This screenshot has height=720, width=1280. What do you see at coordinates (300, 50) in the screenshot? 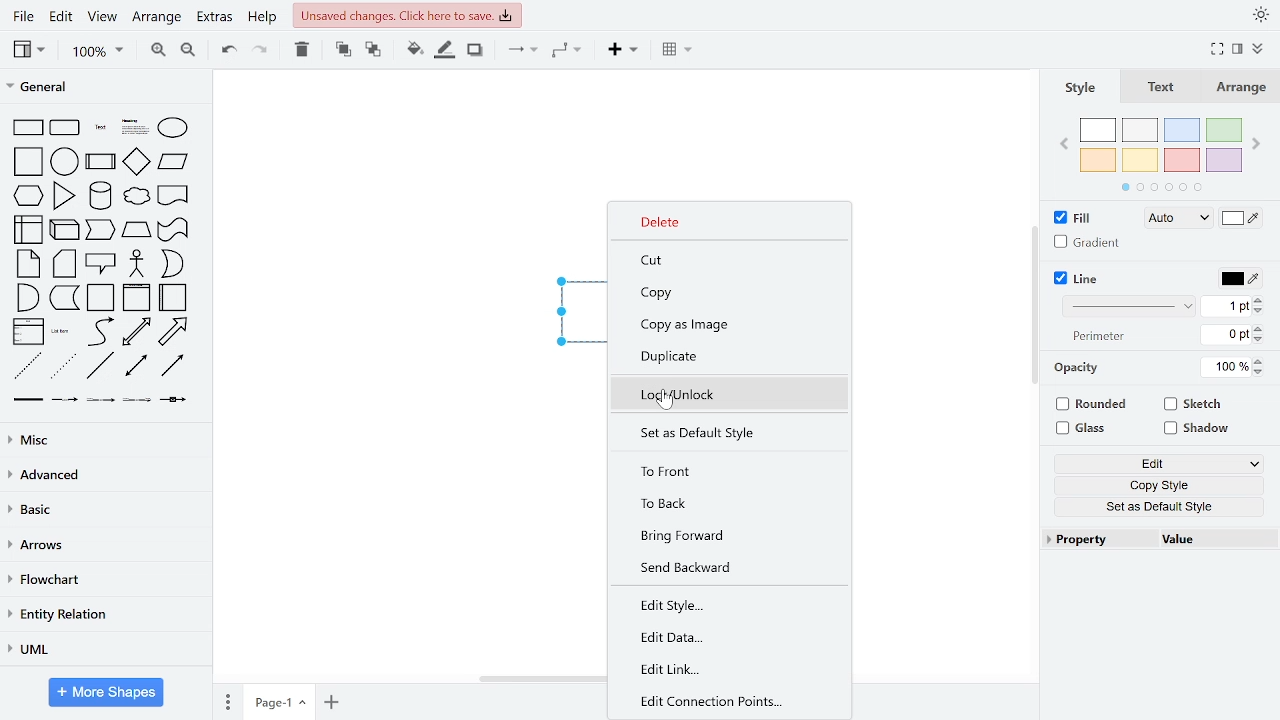
I see `delete` at bounding box center [300, 50].